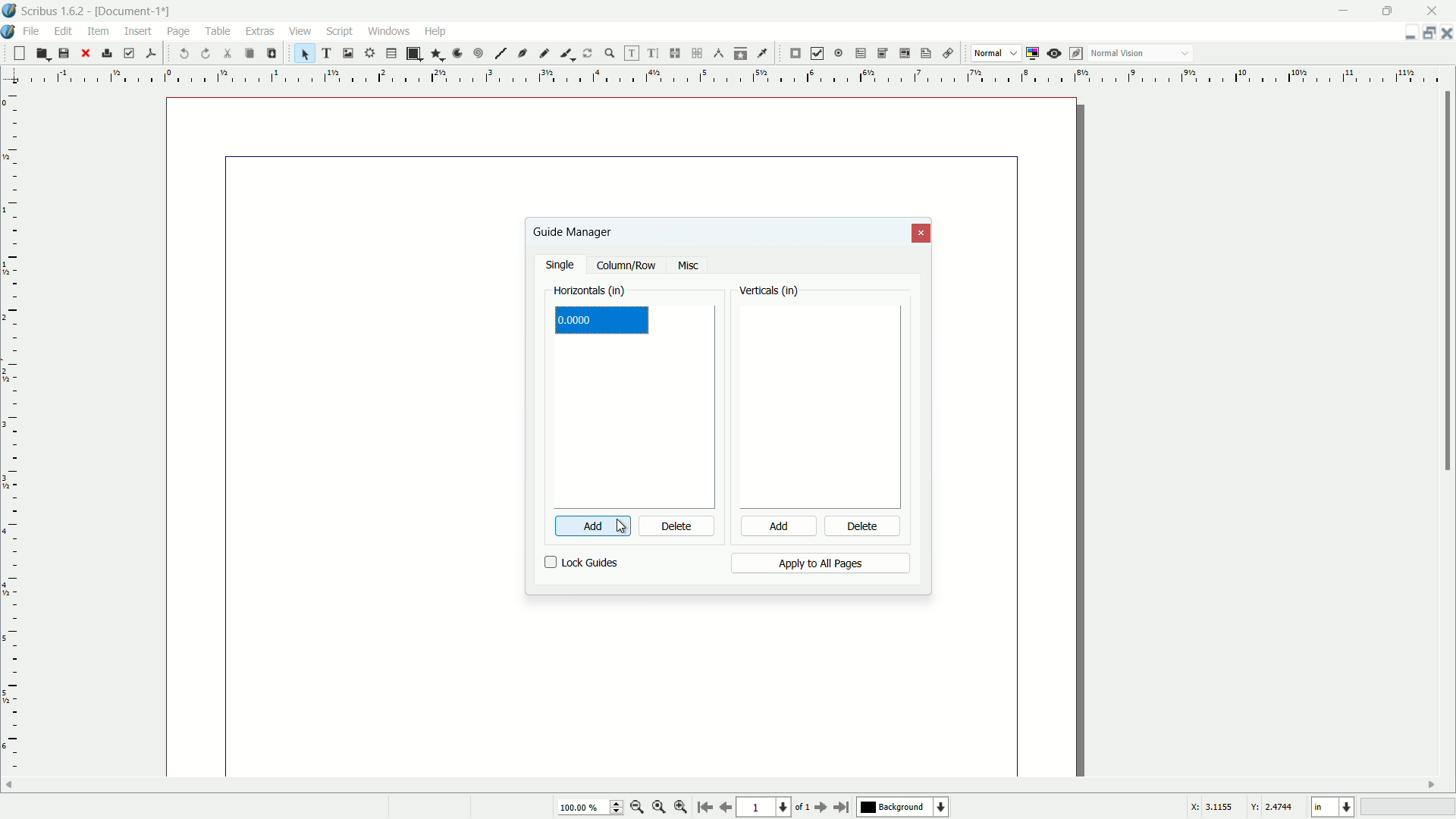 Image resolution: width=1456 pixels, height=819 pixels. I want to click on zoom in, so click(681, 808).